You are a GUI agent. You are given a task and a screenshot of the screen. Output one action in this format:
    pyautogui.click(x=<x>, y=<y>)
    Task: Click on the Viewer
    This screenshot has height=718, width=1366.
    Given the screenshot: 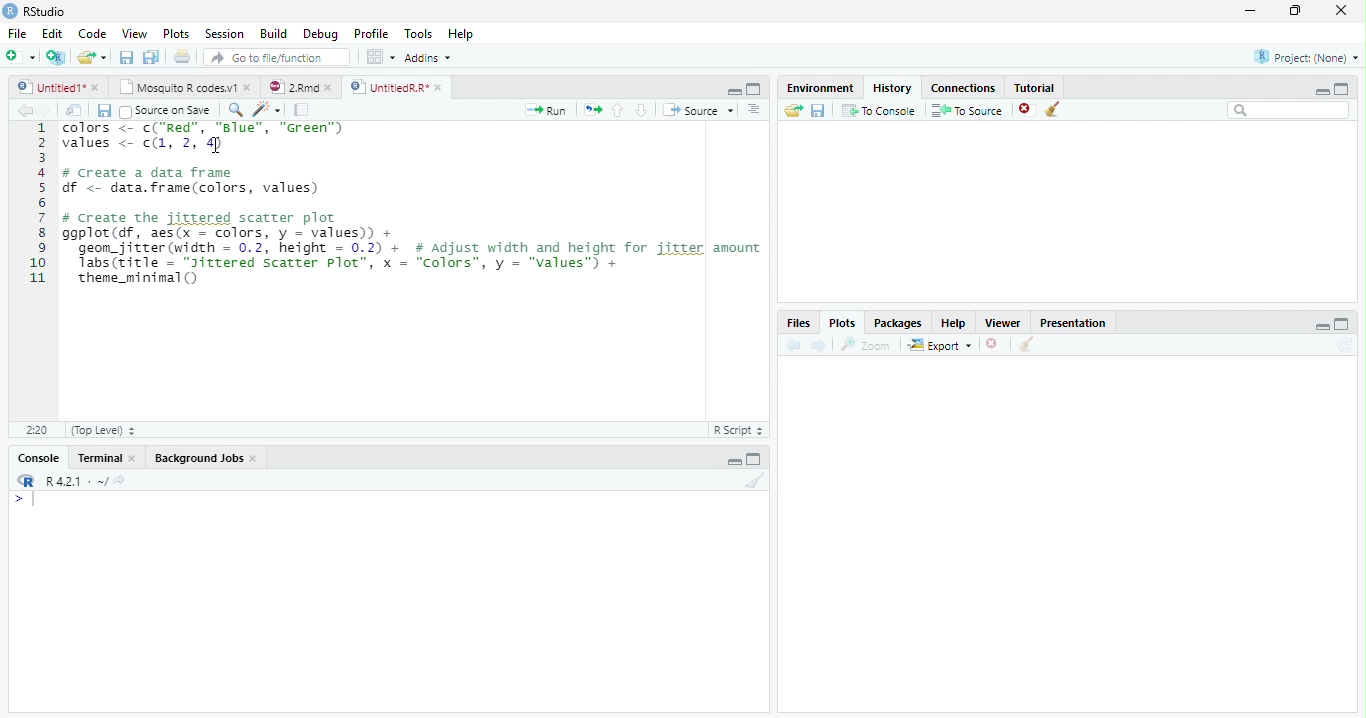 What is the action you would take?
    pyautogui.click(x=1004, y=323)
    